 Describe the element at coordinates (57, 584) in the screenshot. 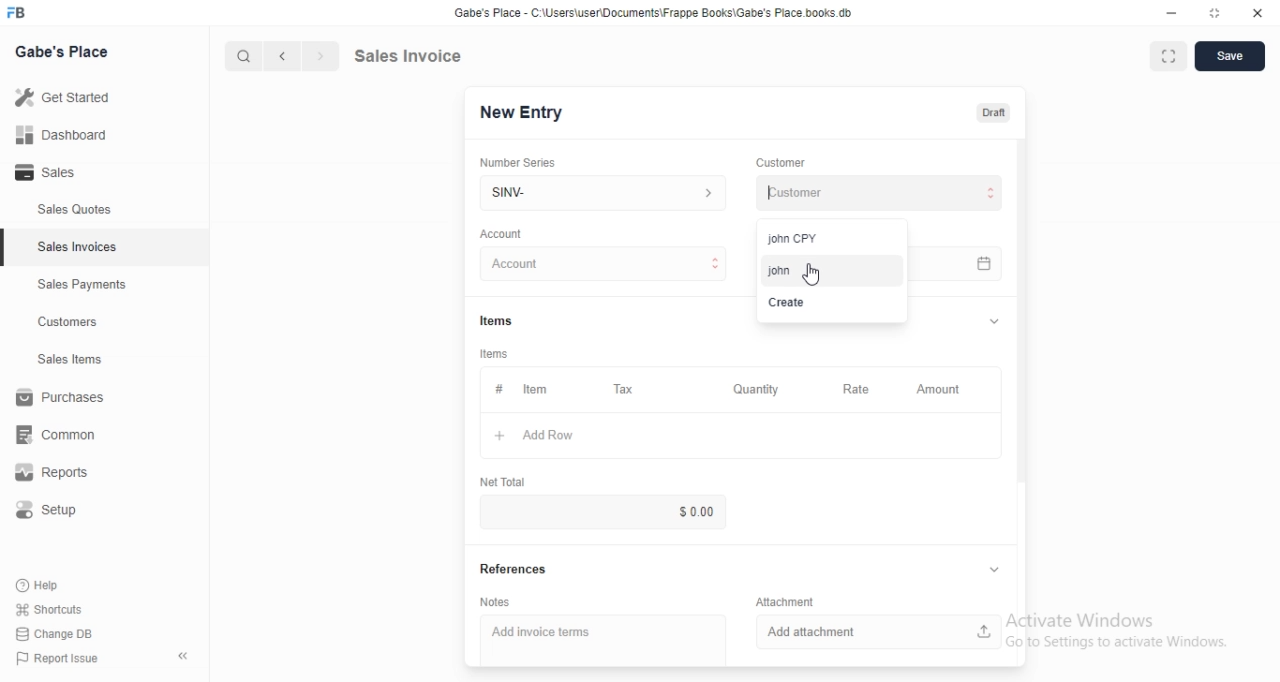

I see `Help` at that location.